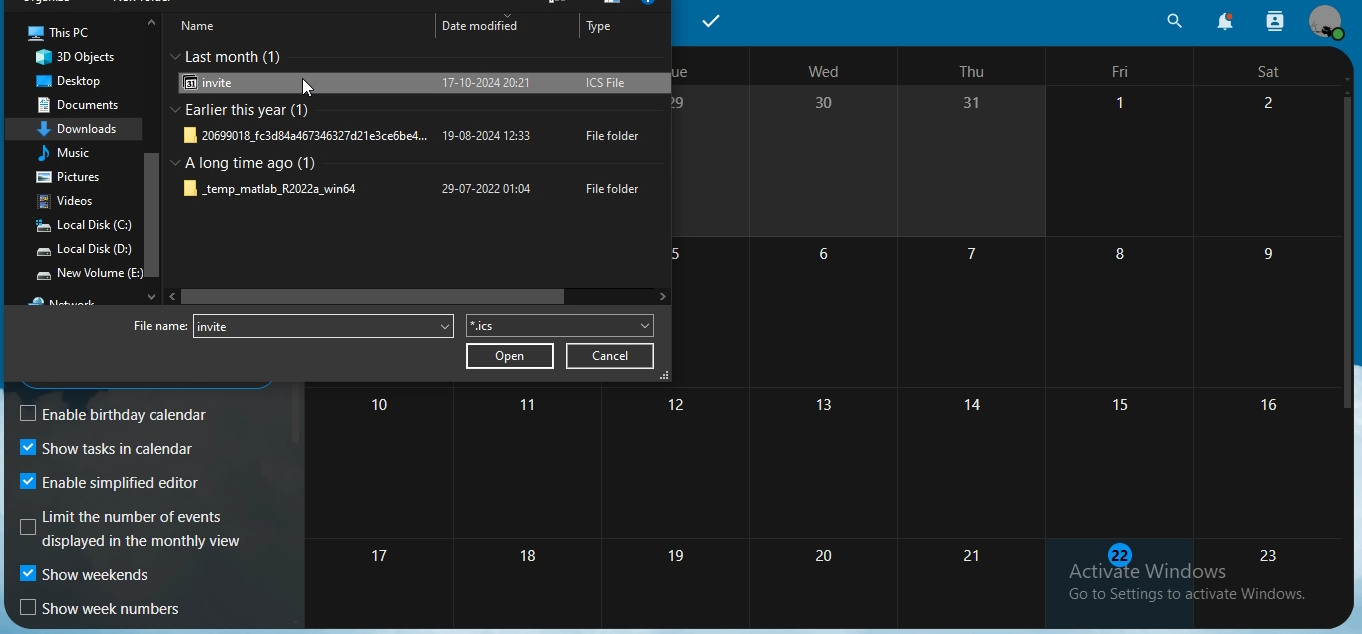 The image size is (1362, 634). Describe the element at coordinates (70, 152) in the screenshot. I see `music` at that location.